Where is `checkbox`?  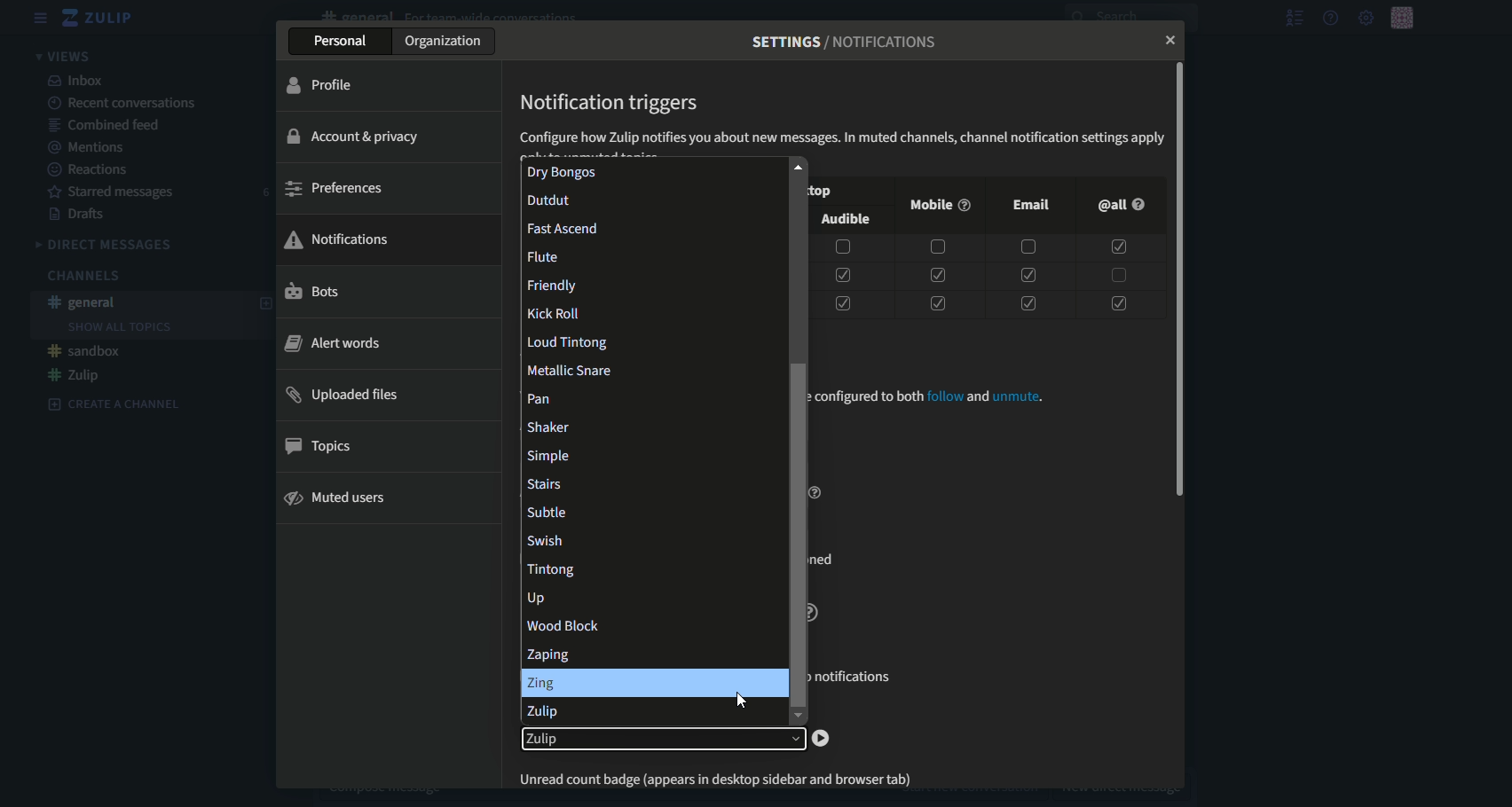
checkbox is located at coordinates (842, 275).